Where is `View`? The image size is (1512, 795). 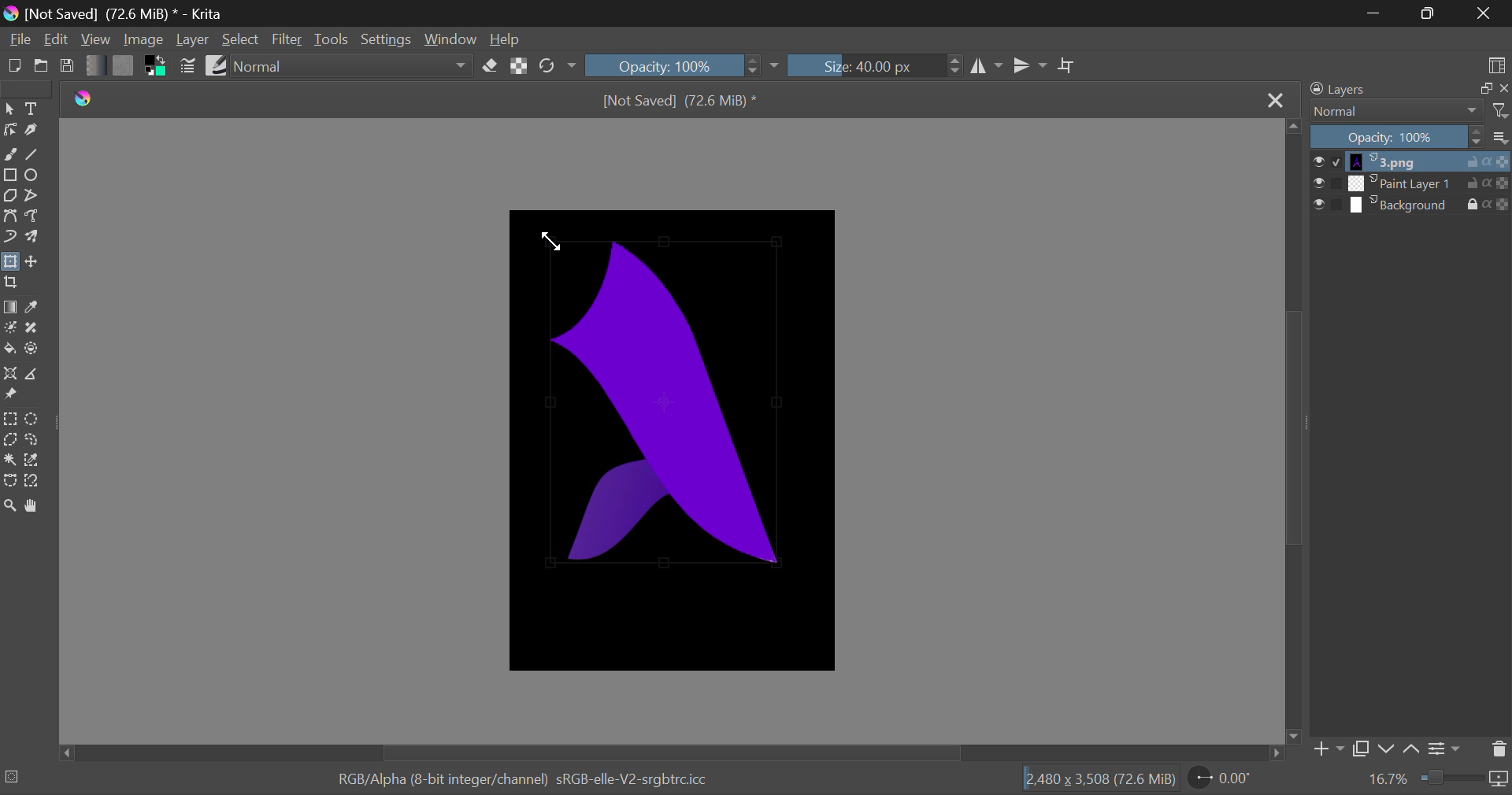
View is located at coordinates (96, 39).